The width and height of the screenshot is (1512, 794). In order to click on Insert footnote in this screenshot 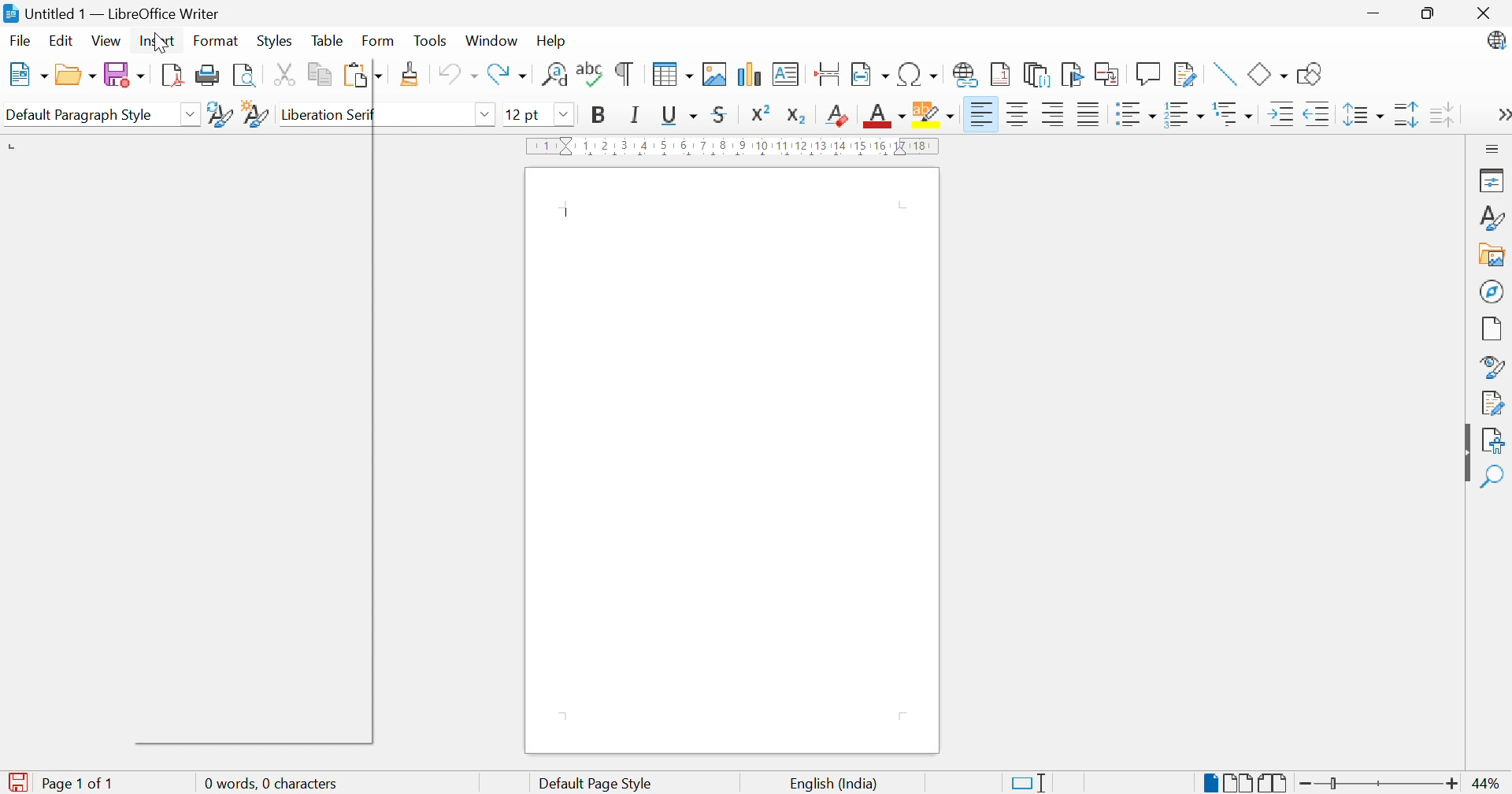, I will do `click(1002, 74)`.